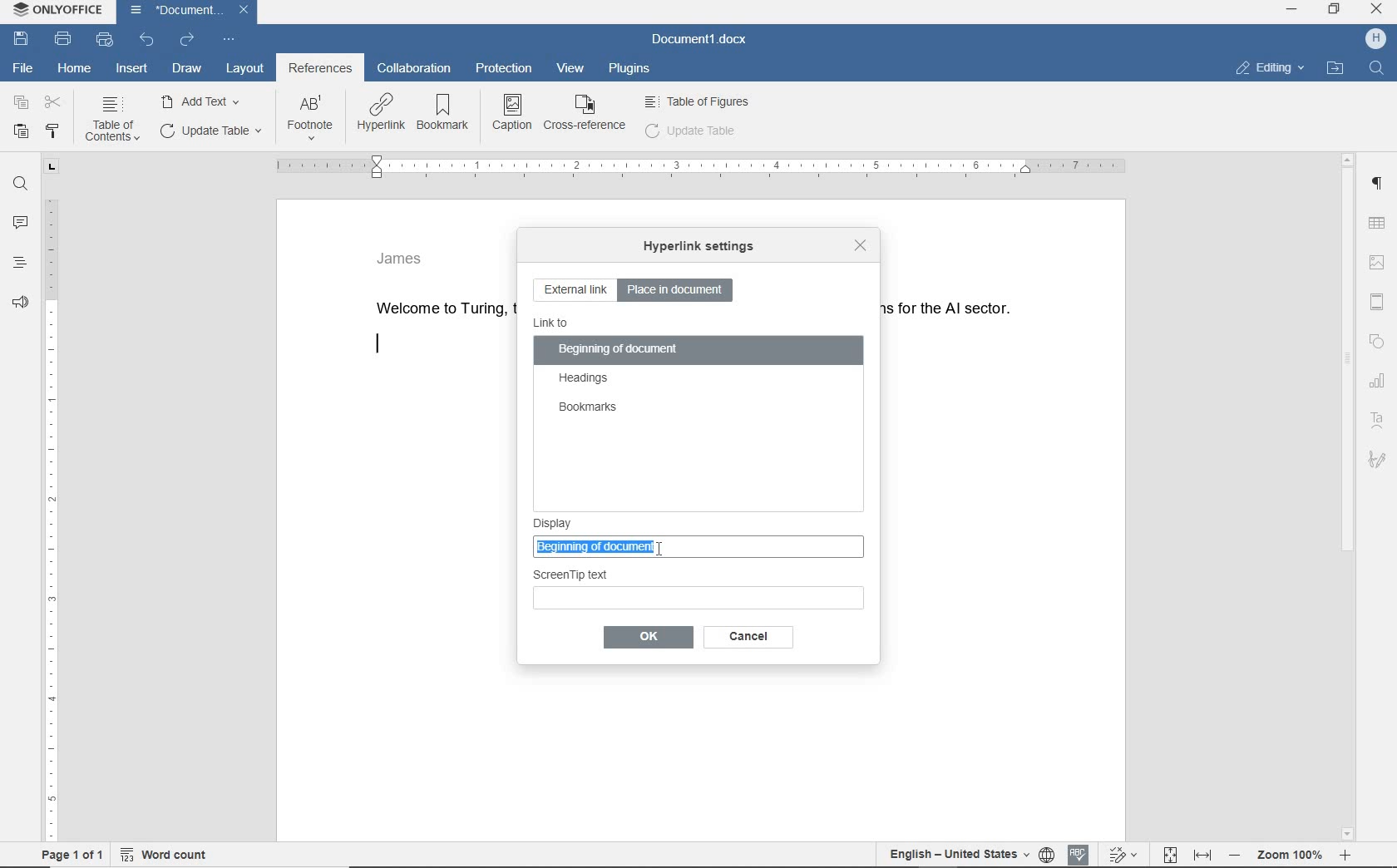 Image resolution: width=1397 pixels, height=868 pixels. What do you see at coordinates (147, 41) in the screenshot?
I see `undo` at bounding box center [147, 41].